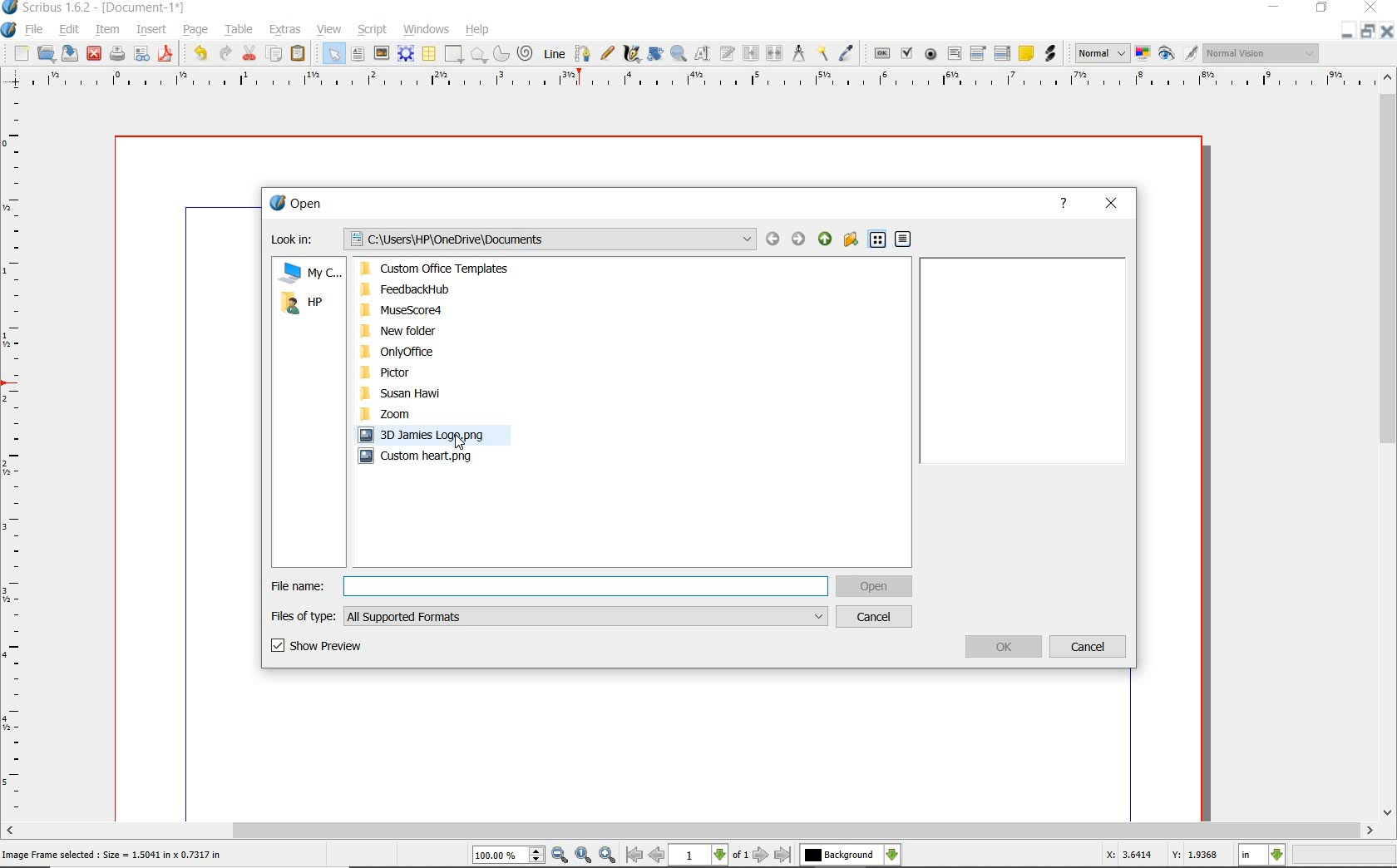 This screenshot has height=868, width=1397. Describe the element at coordinates (1345, 32) in the screenshot. I see `minimize` at that location.